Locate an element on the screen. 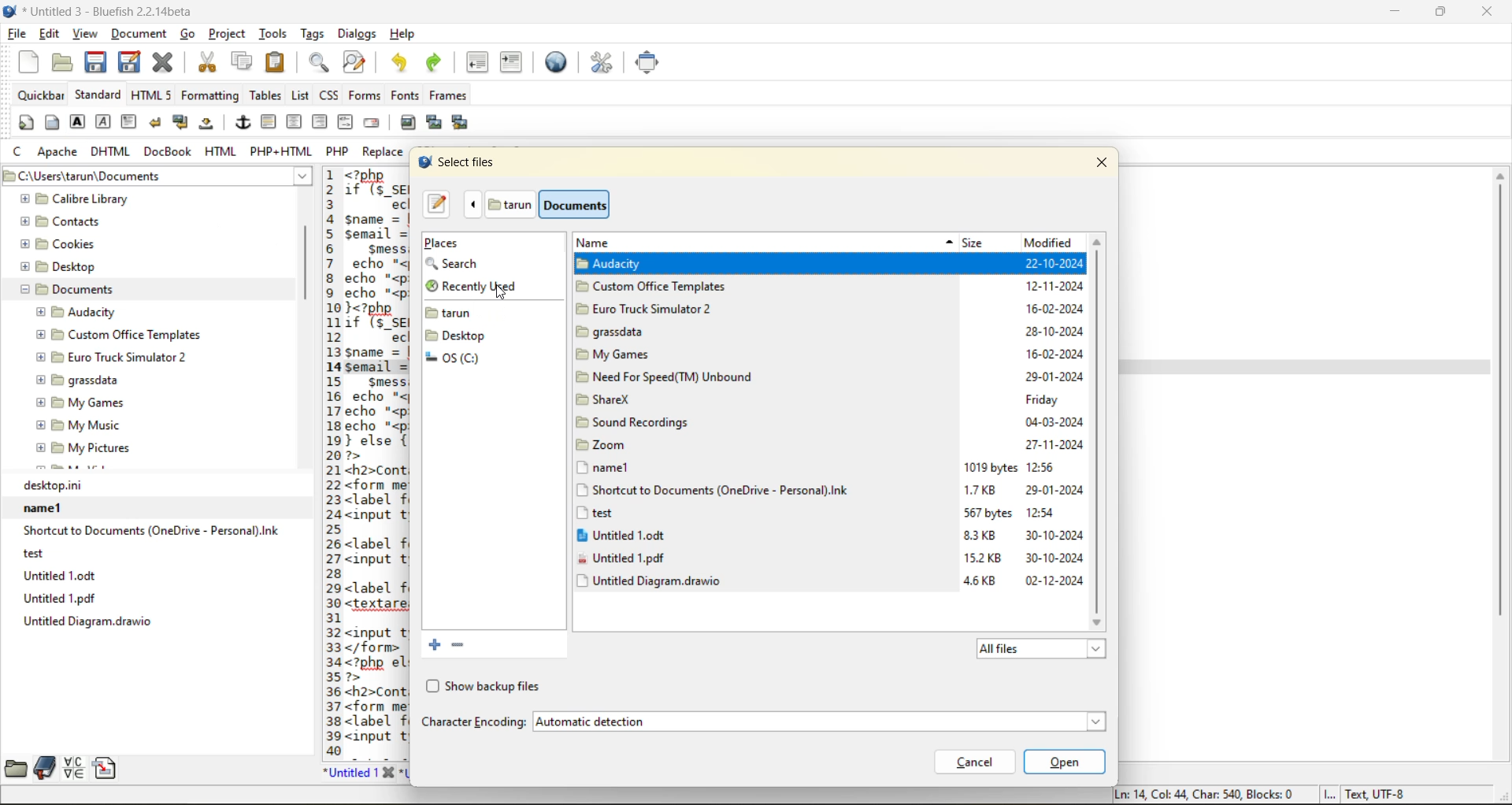 The image size is (1512, 805). tools is located at coordinates (274, 33).